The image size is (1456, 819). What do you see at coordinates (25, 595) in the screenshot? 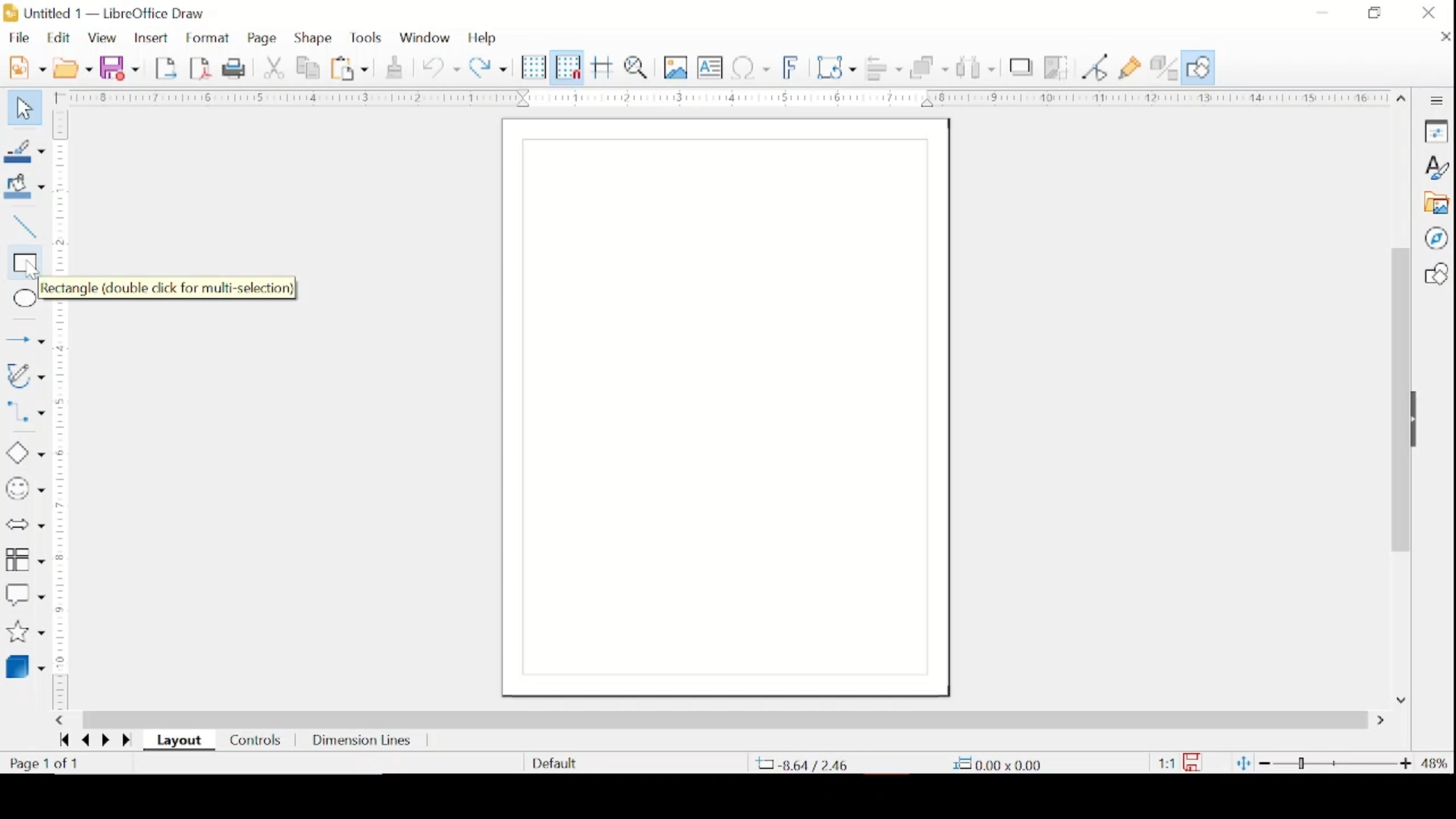
I see `callout shapes` at bounding box center [25, 595].